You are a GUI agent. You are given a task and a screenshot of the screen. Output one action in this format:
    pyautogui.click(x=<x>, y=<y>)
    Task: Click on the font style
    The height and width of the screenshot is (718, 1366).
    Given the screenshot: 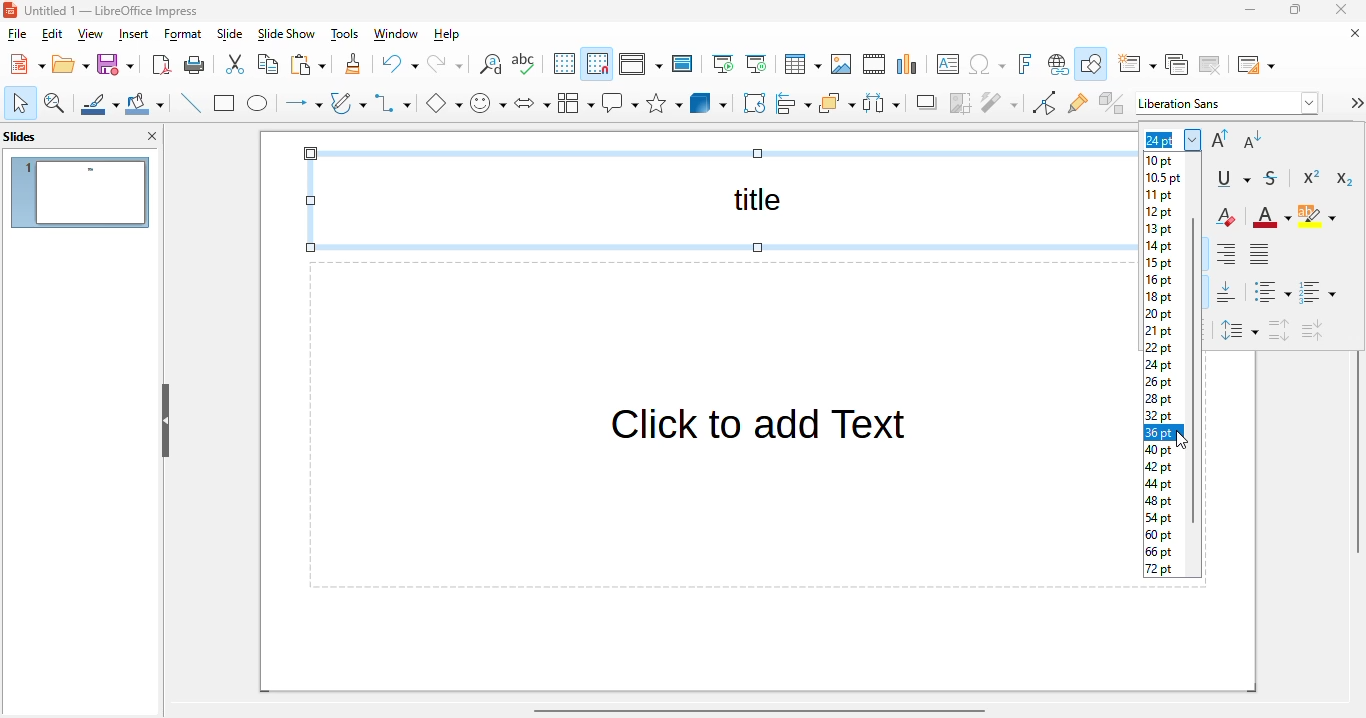 What is the action you would take?
    pyautogui.click(x=1228, y=103)
    